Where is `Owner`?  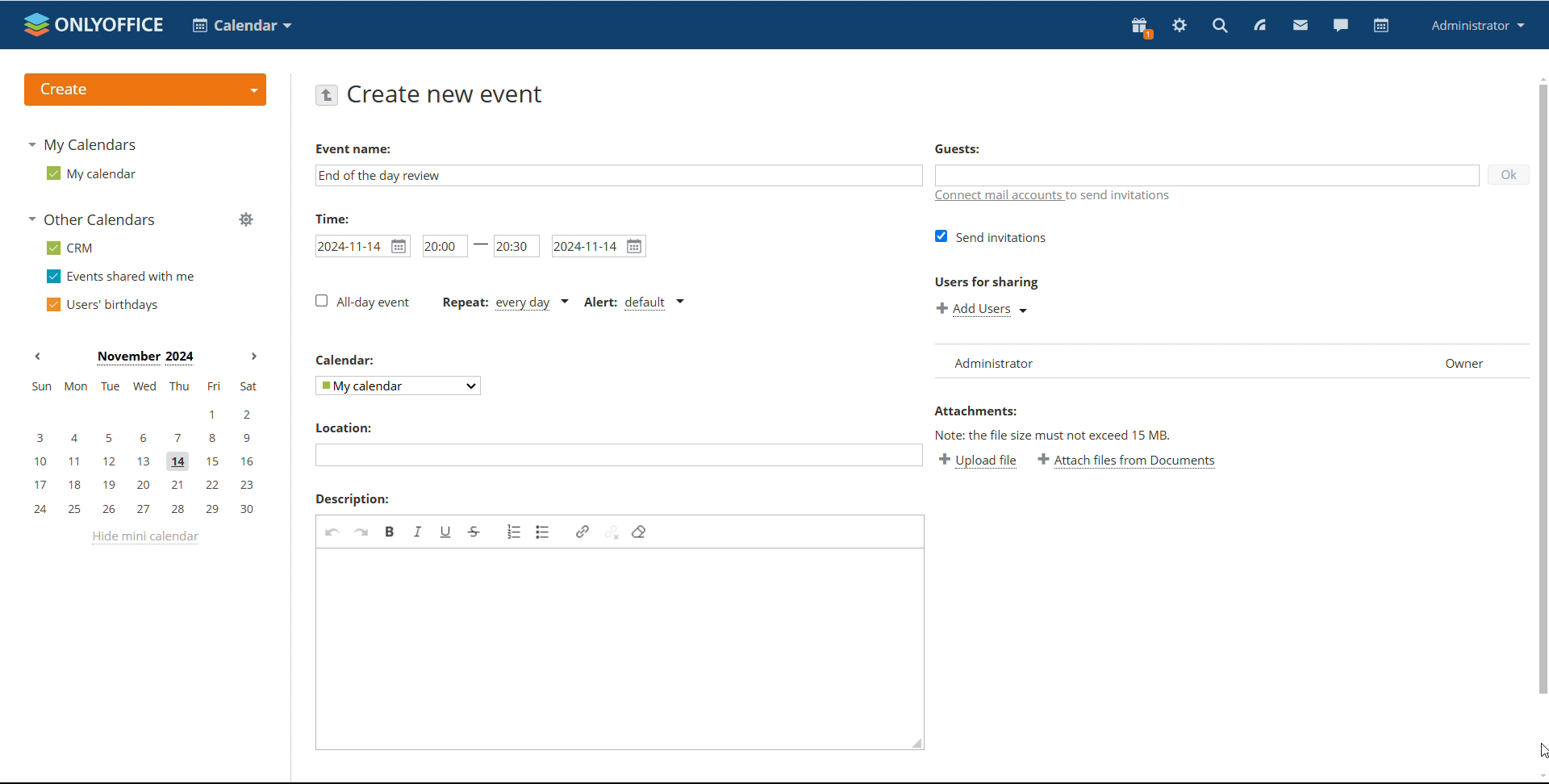
Owner is located at coordinates (1474, 361).